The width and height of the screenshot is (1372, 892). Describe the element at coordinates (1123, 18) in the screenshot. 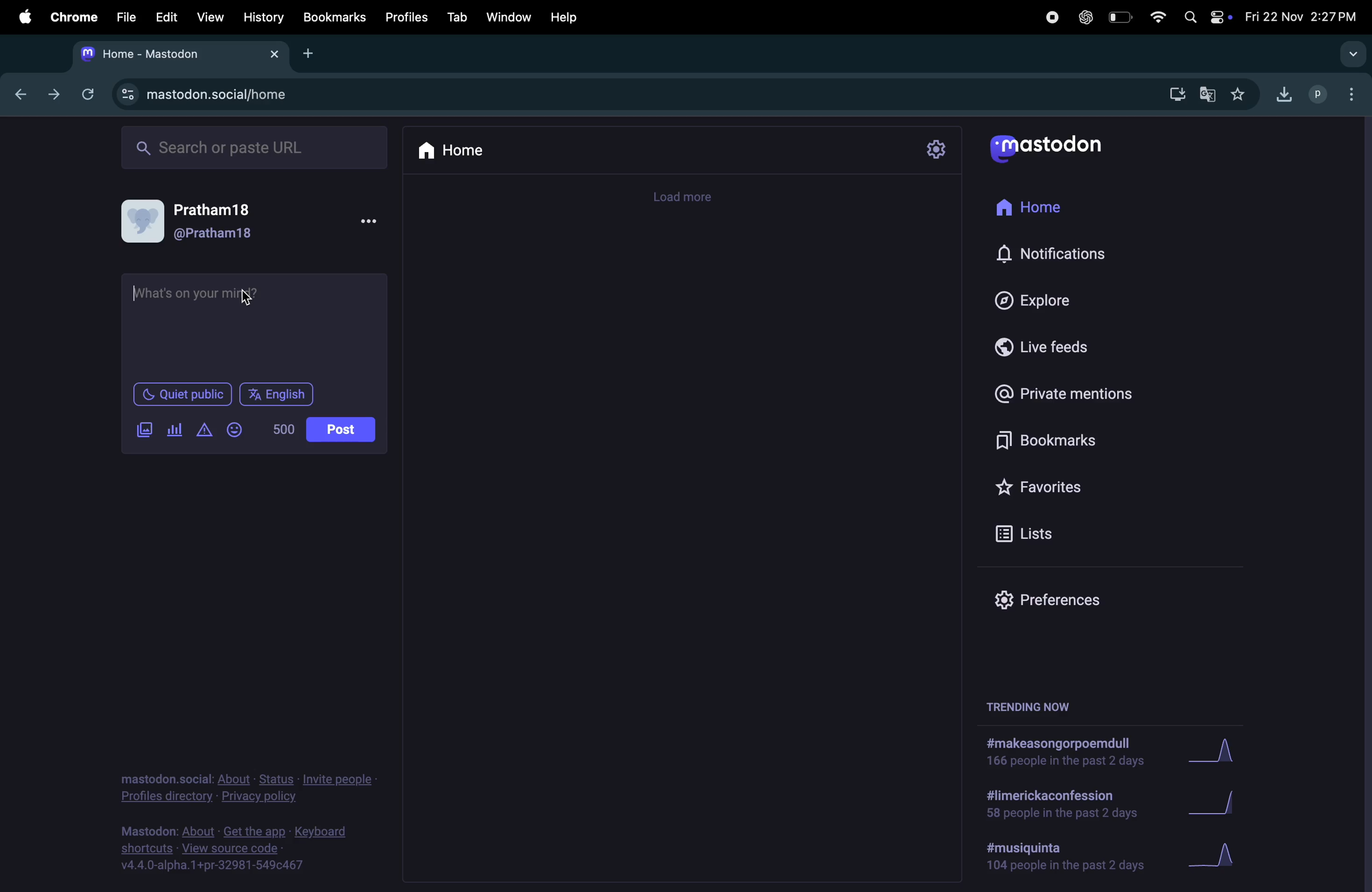

I see `battery` at that location.